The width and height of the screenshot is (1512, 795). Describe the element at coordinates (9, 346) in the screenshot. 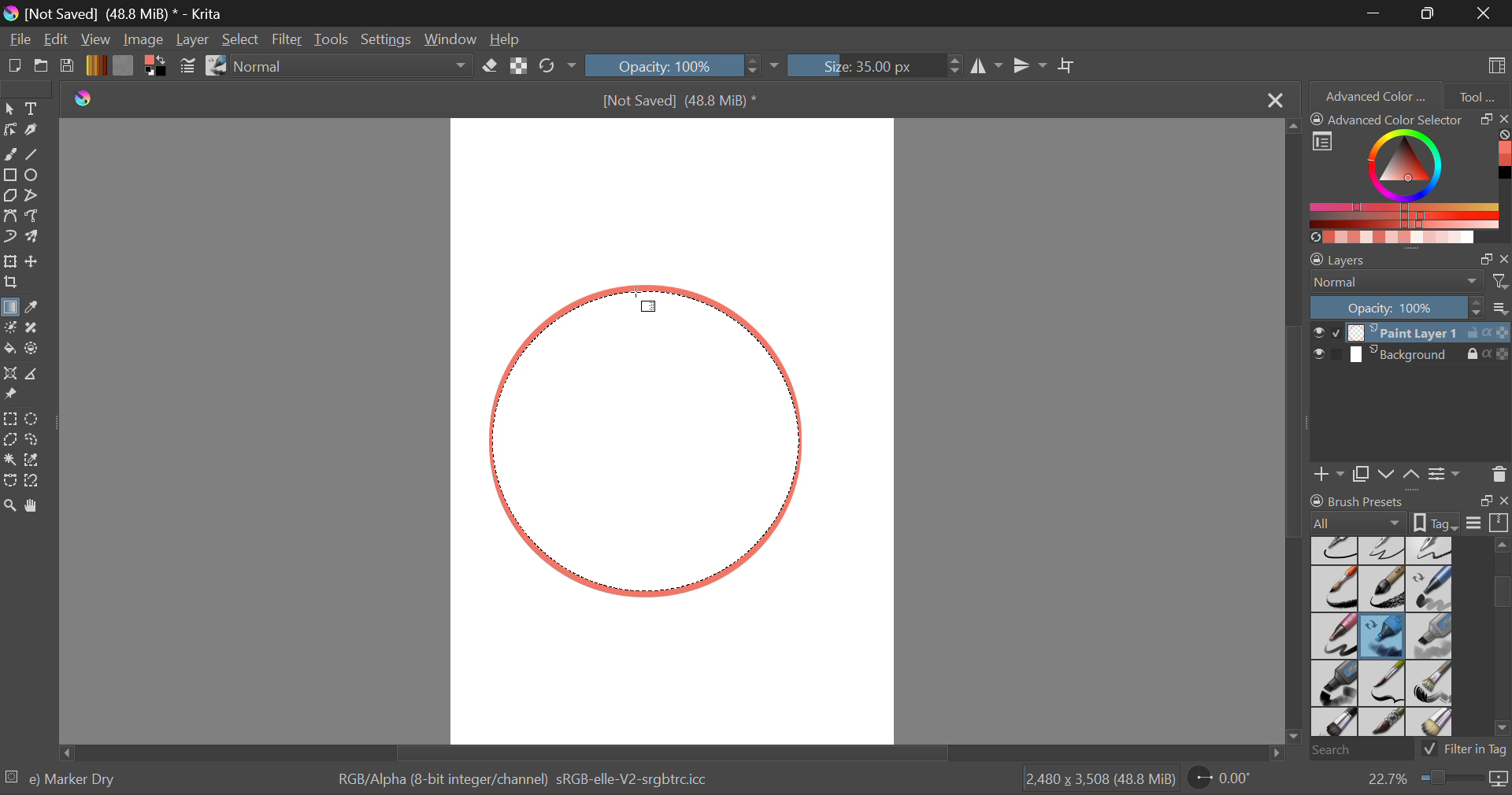

I see `Fill` at that location.